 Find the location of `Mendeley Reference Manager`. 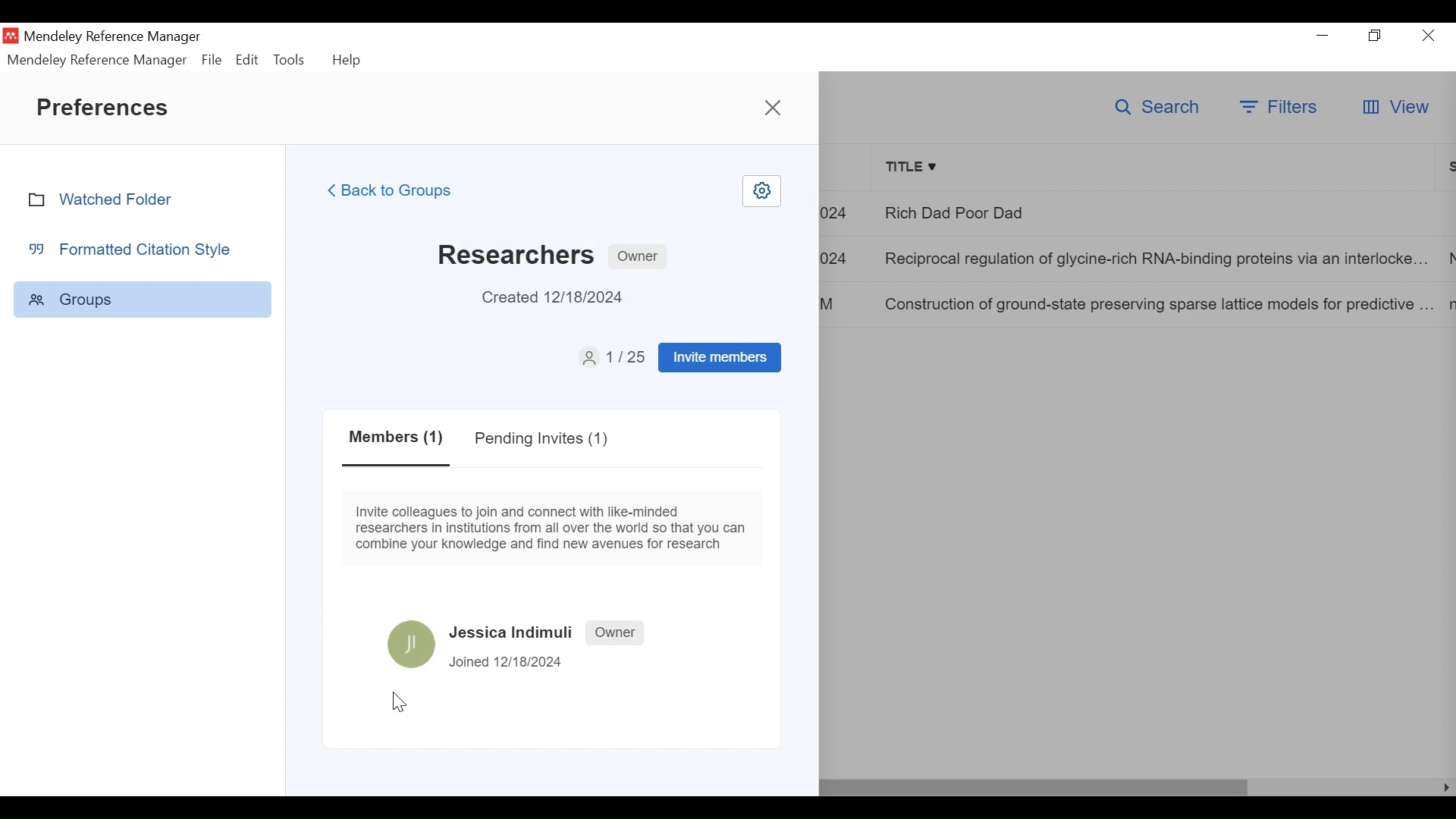

Mendeley Reference Manager is located at coordinates (112, 36).